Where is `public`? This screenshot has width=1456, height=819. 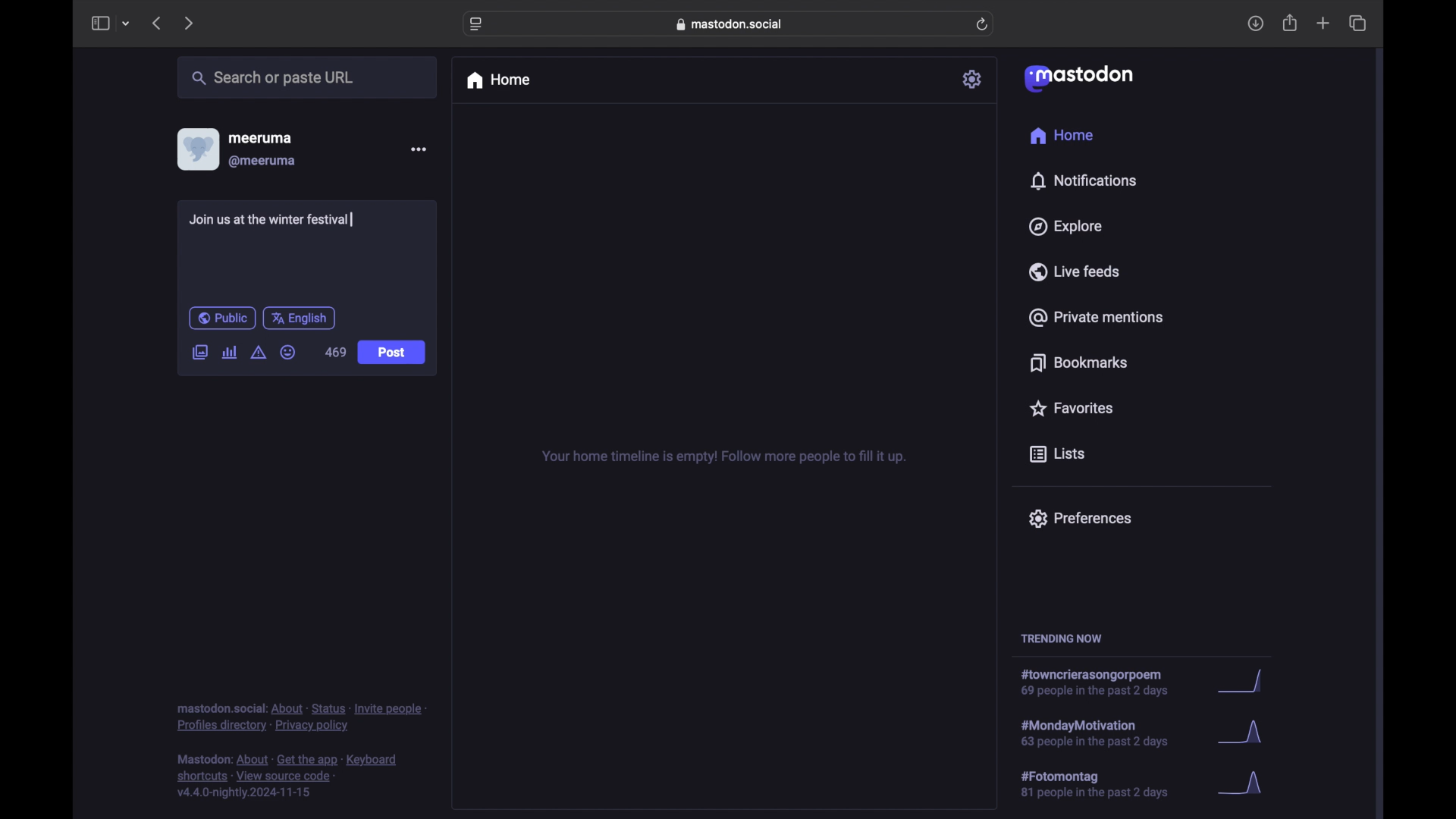
public is located at coordinates (221, 318).